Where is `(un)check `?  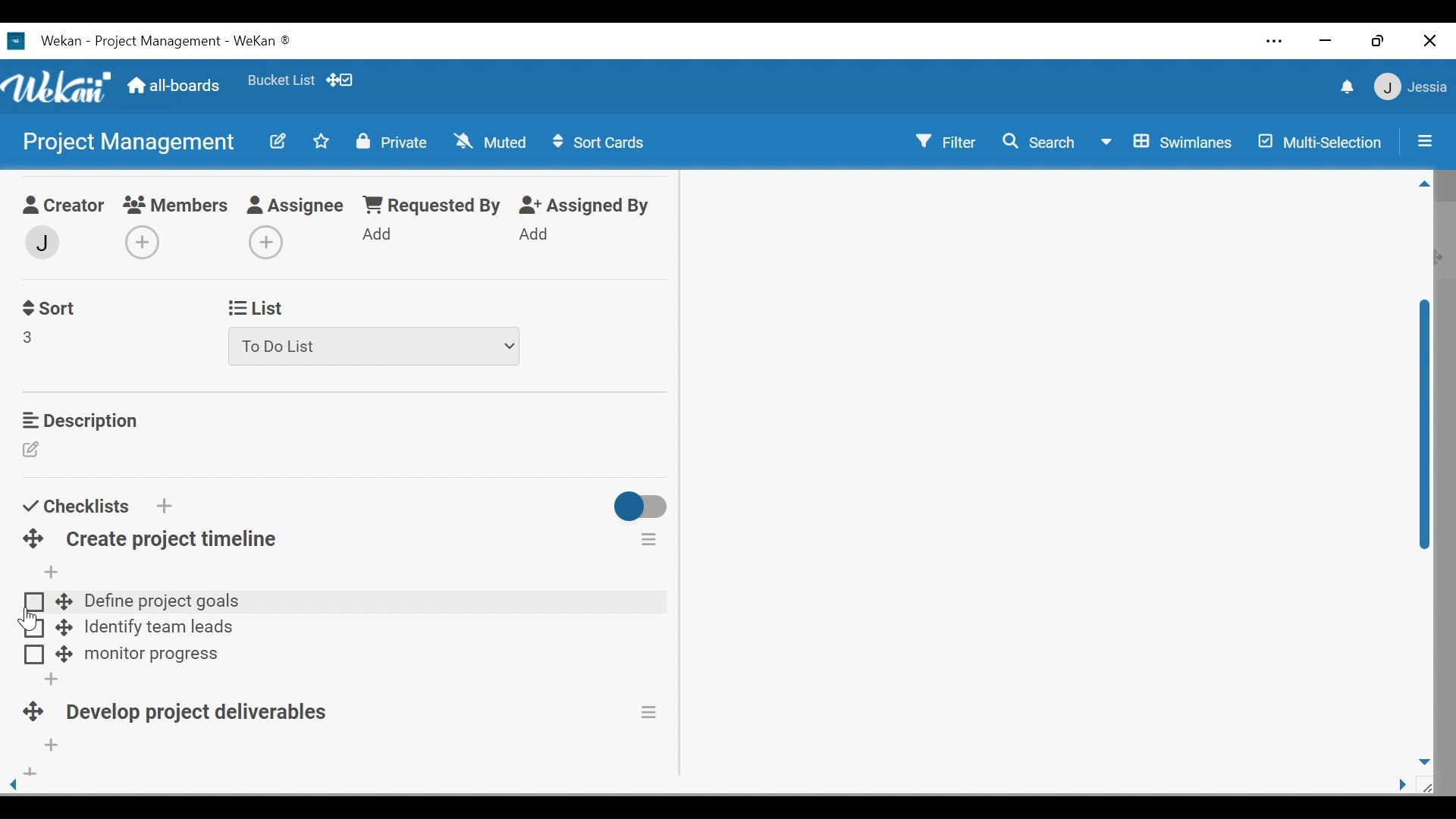
(un)check  is located at coordinates (34, 600).